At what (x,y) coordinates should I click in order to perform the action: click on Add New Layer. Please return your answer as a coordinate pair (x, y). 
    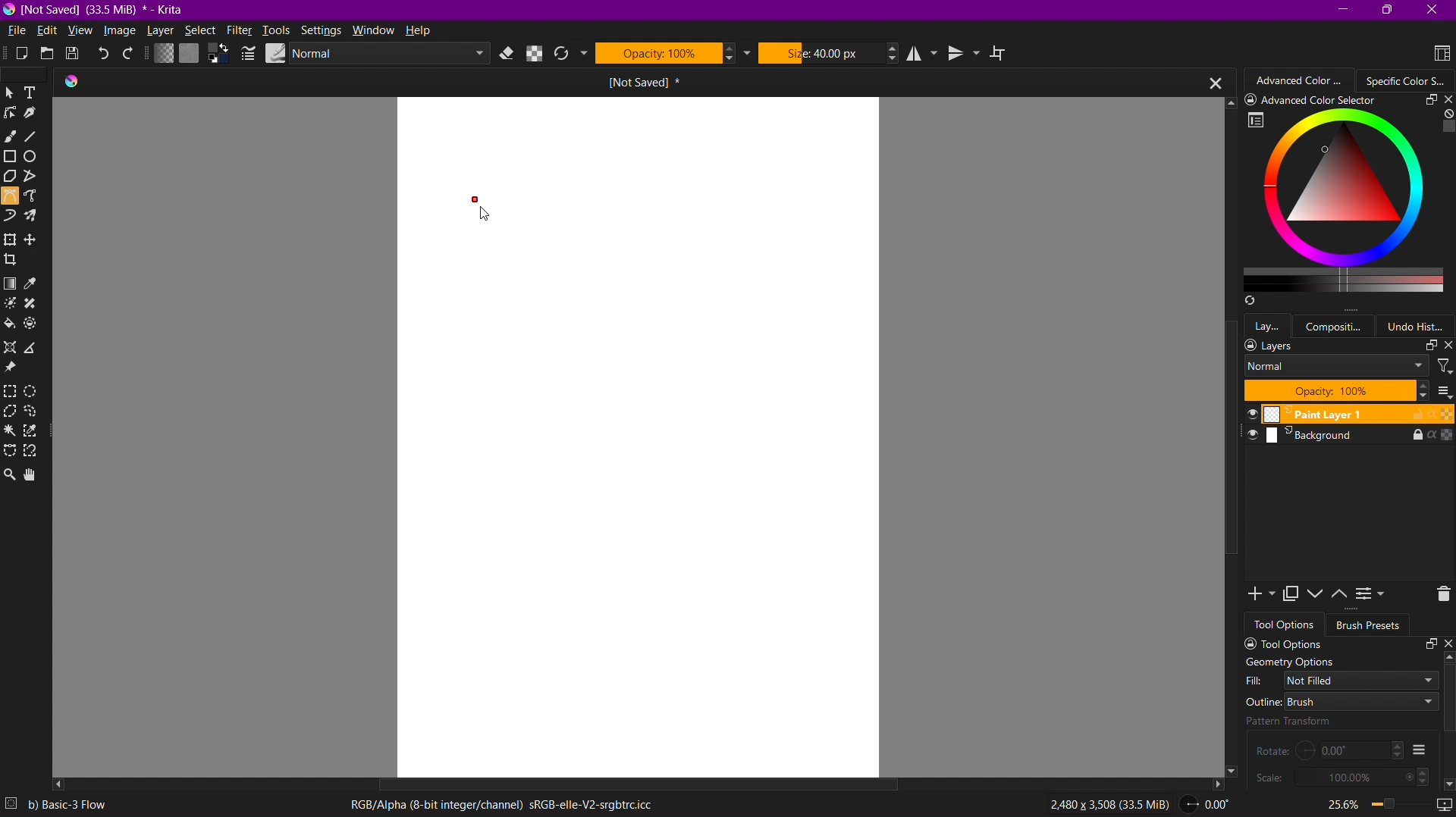
    Looking at the image, I should click on (1257, 595).